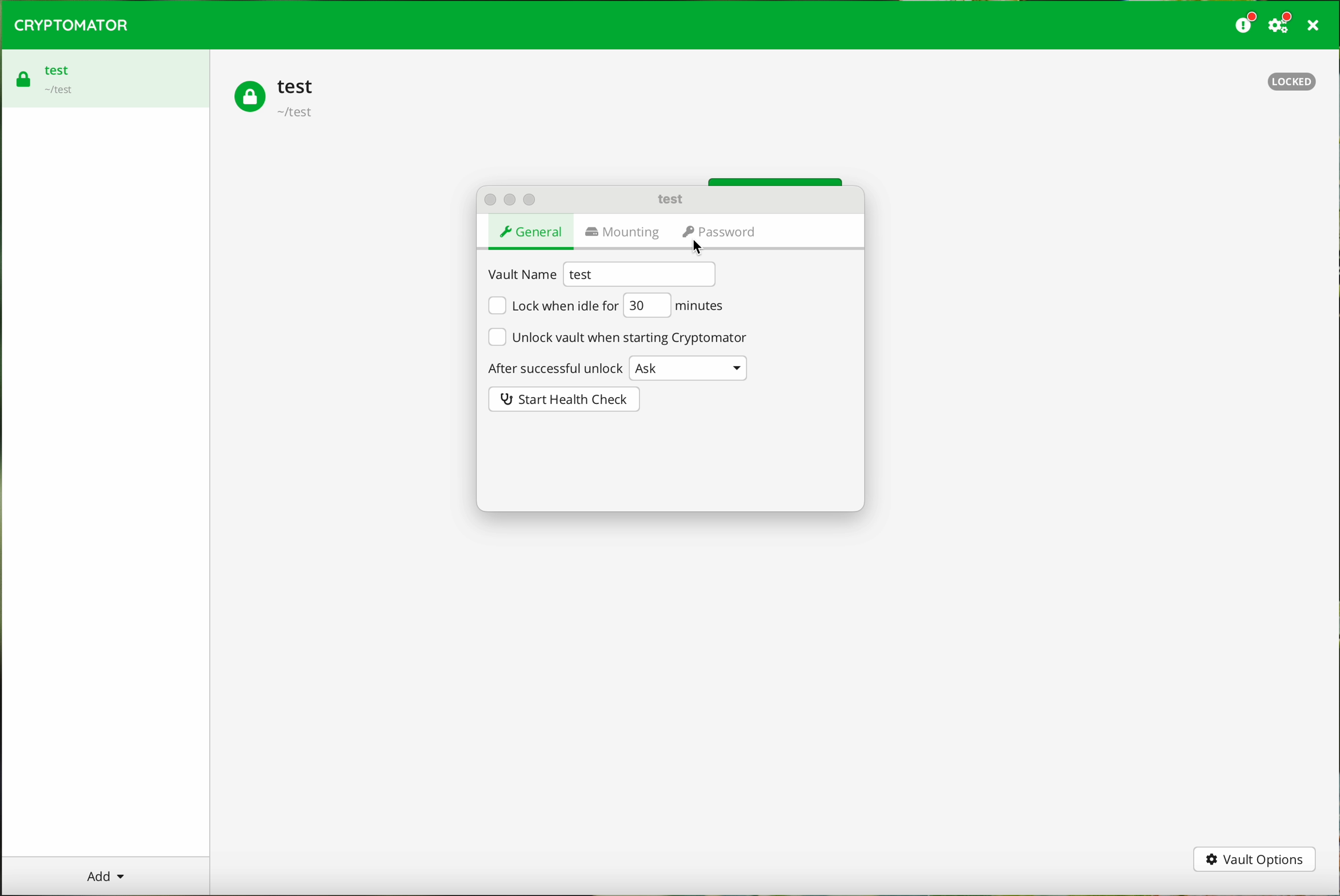 The image size is (1340, 896). What do you see at coordinates (1293, 80) in the screenshot?
I see `locked` at bounding box center [1293, 80].